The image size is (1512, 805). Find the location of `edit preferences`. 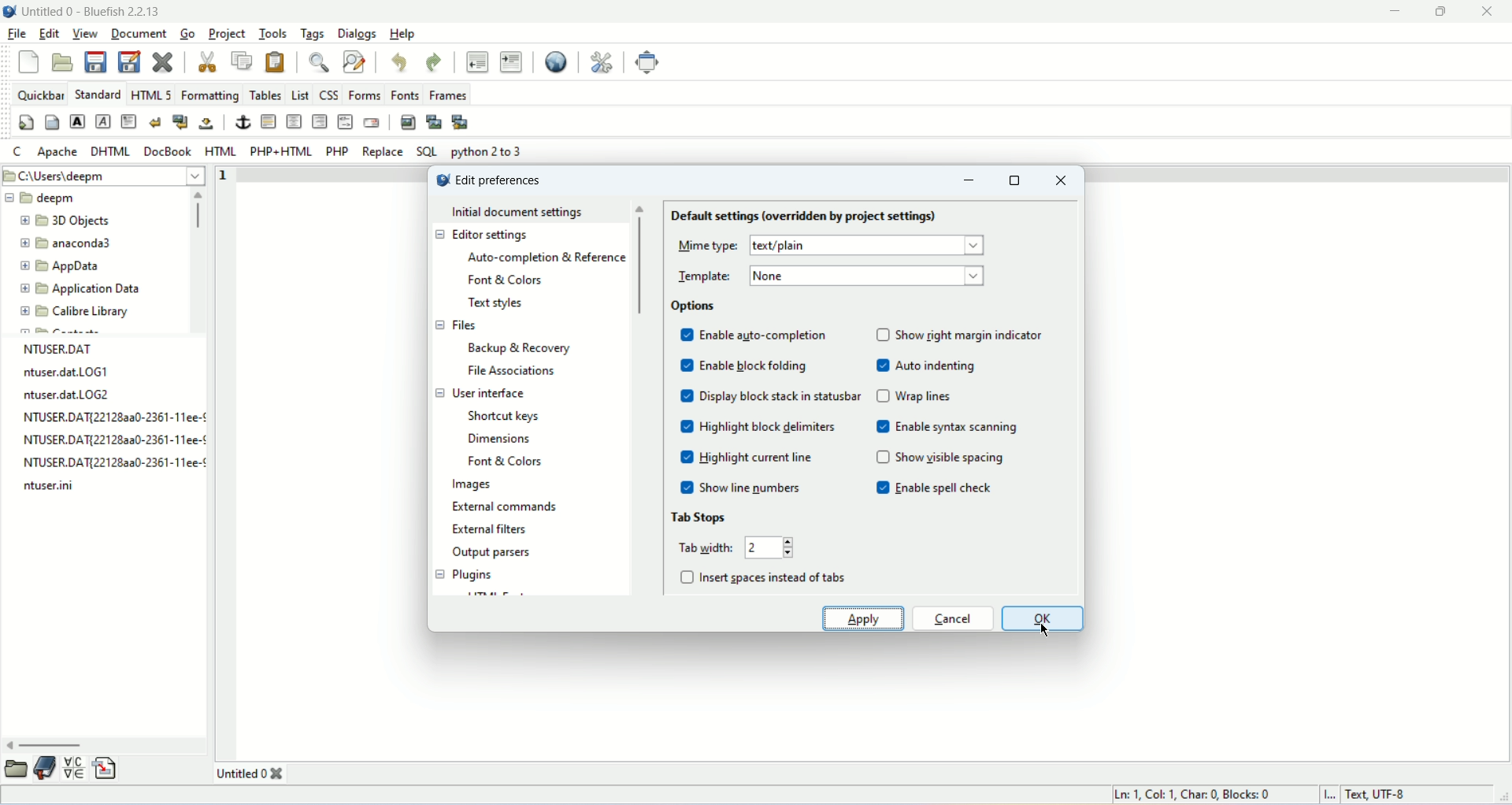

edit preferences is located at coordinates (603, 61).